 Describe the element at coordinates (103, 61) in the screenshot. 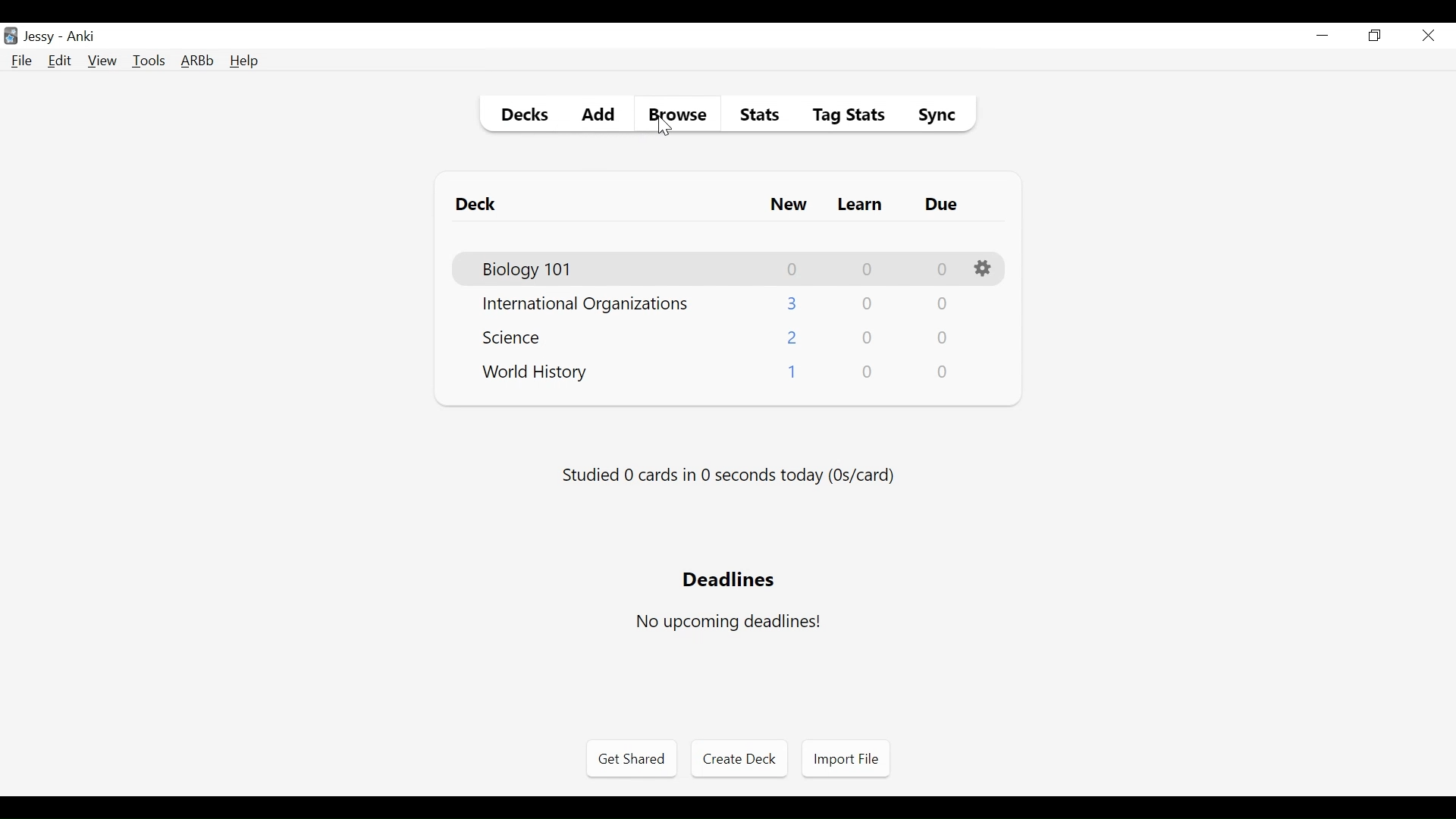

I see `View` at that location.